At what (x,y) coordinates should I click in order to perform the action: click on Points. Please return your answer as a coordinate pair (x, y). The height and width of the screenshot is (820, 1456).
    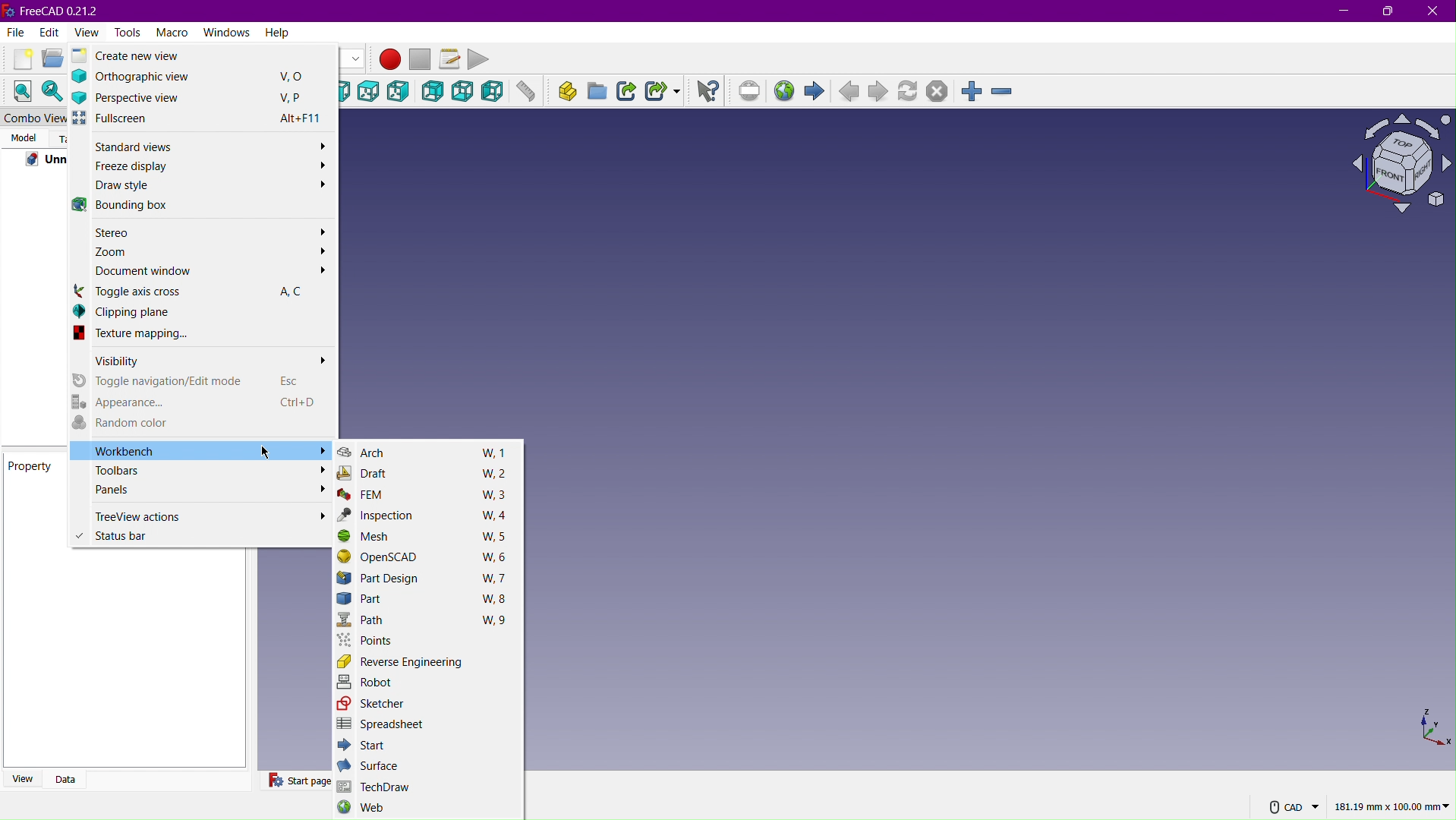
    Looking at the image, I should click on (366, 642).